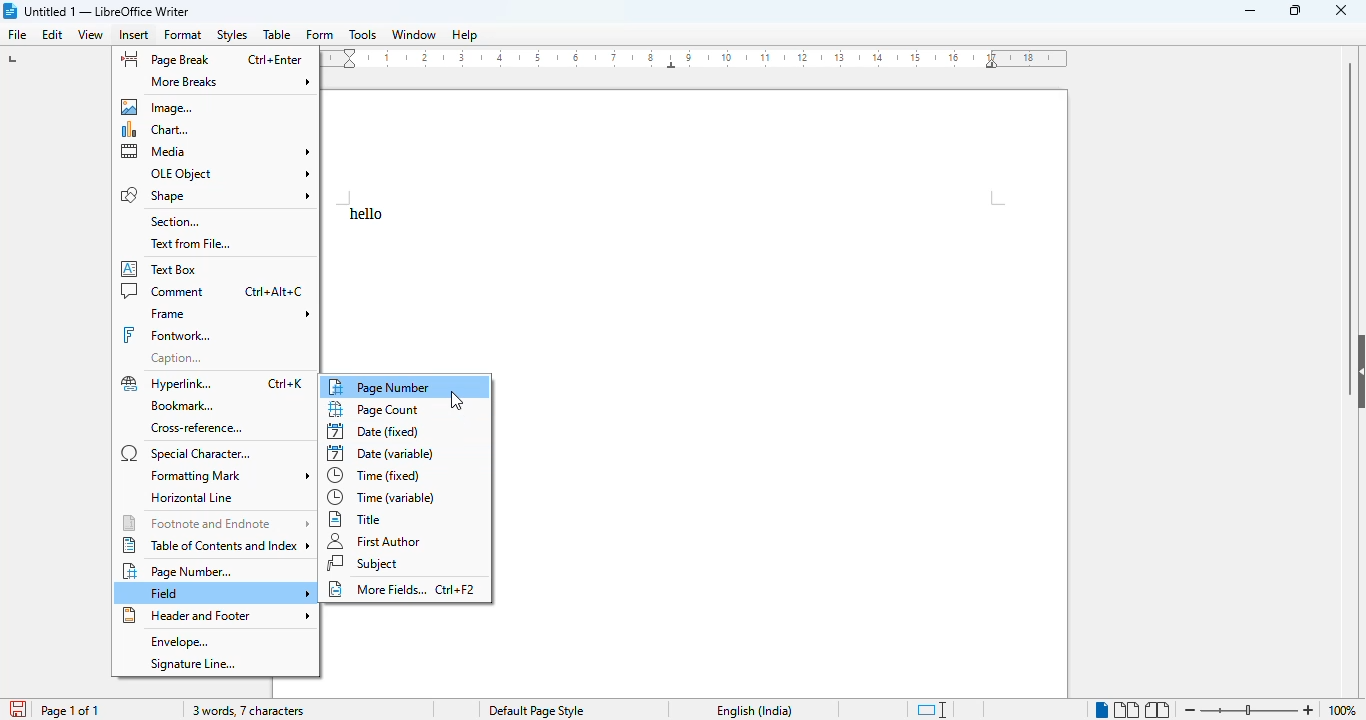 Image resolution: width=1366 pixels, height=720 pixels. What do you see at coordinates (1340, 11) in the screenshot?
I see `close` at bounding box center [1340, 11].